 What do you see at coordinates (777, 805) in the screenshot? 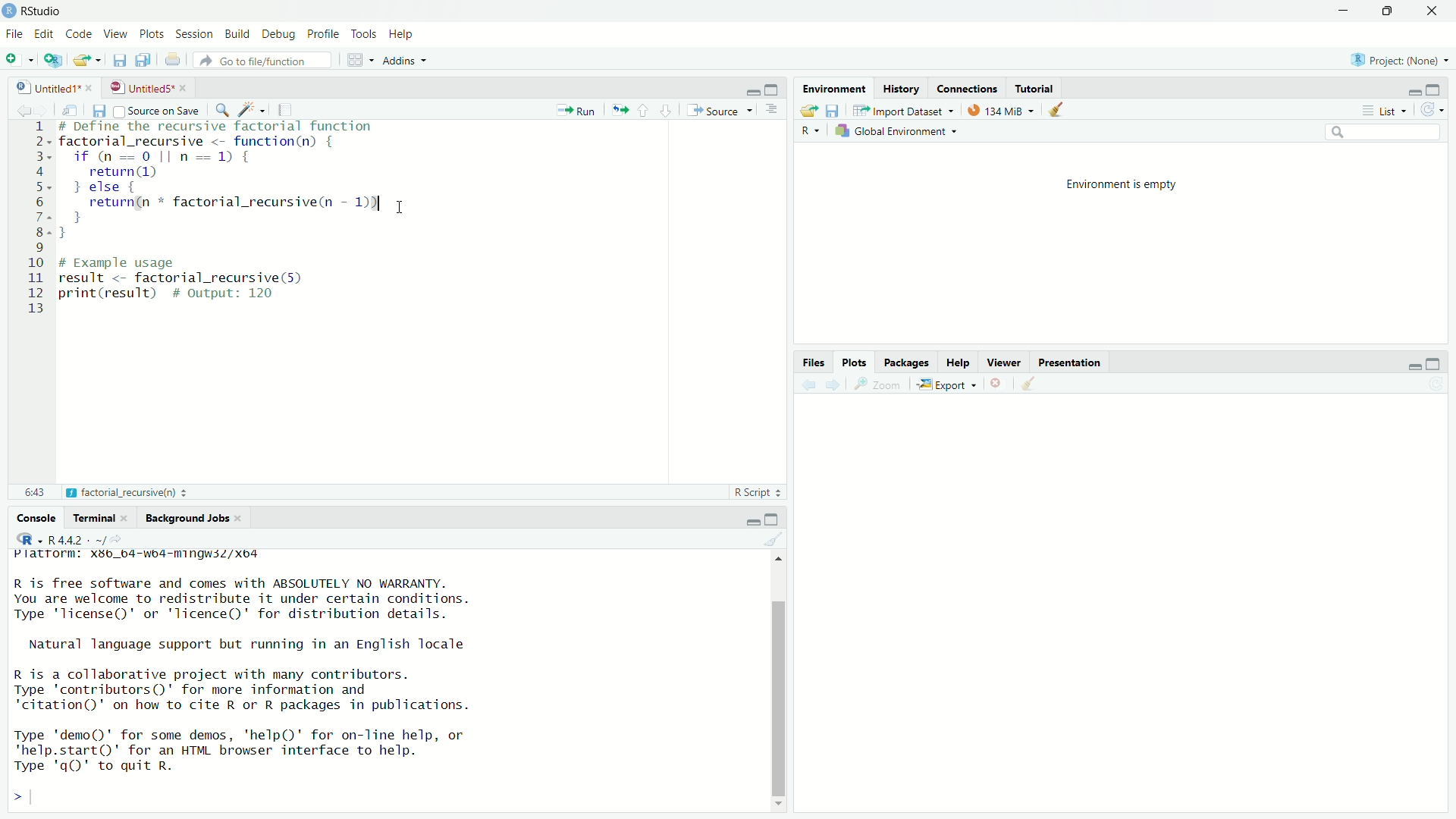
I see `Down` at bounding box center [777, 805].